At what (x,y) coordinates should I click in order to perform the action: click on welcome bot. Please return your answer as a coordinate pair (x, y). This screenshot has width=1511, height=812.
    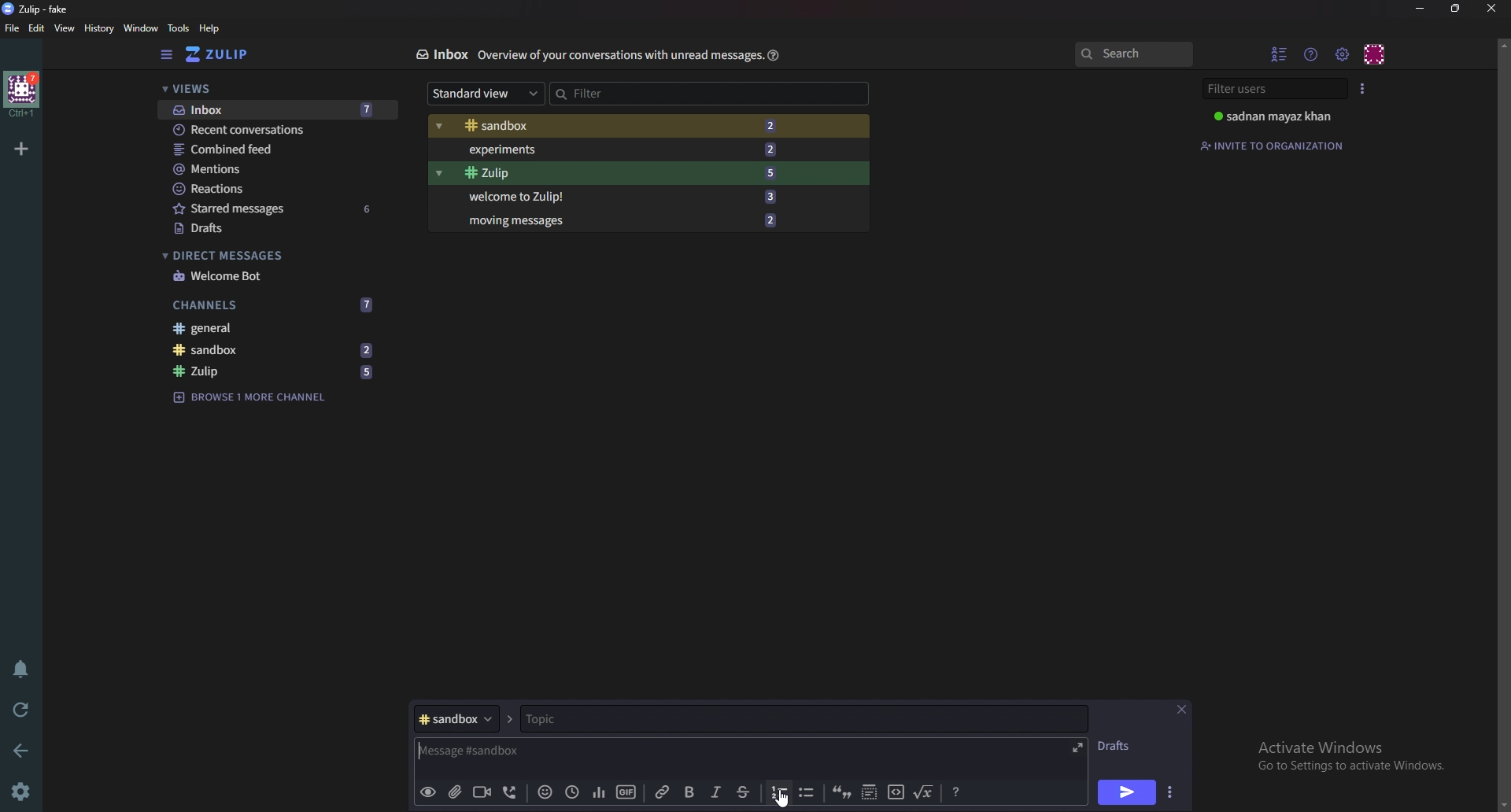
    Looking at the image, I should click on (272, 275).